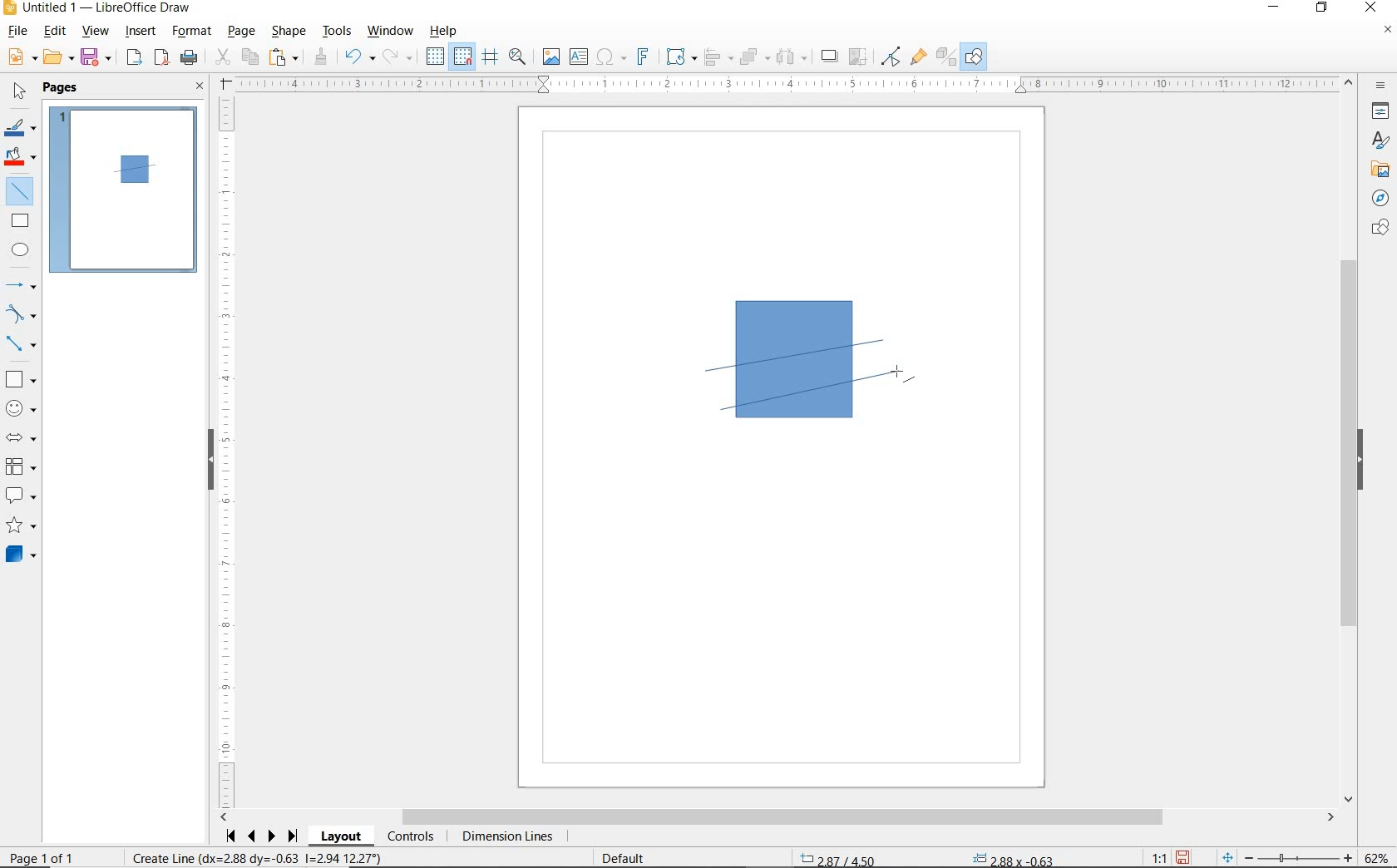  Describe the element at coordinates (755, 56) in the screenshot. I see `ARRANGE` at that location.